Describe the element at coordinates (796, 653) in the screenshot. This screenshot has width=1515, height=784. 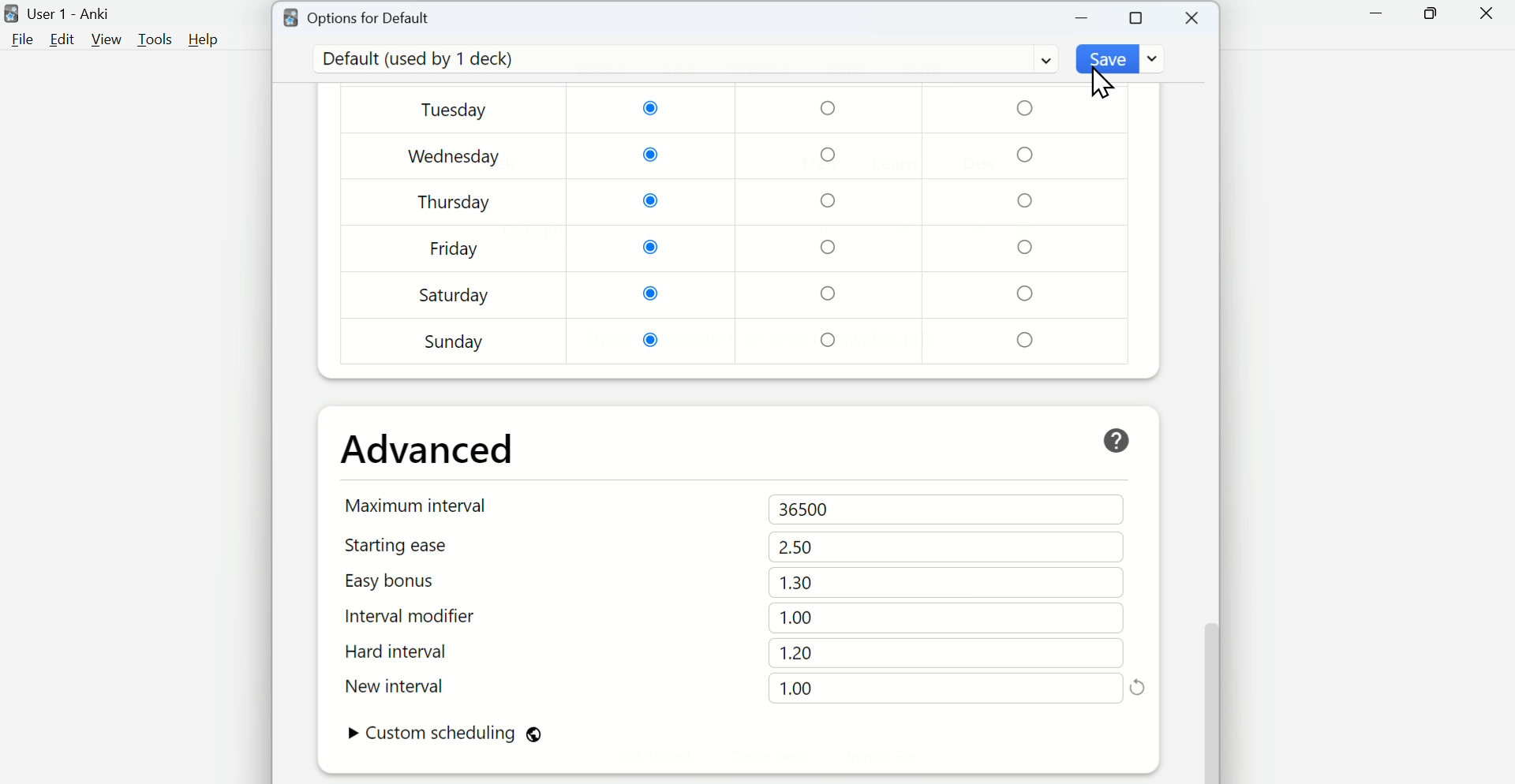
I see `1.20` at that location.